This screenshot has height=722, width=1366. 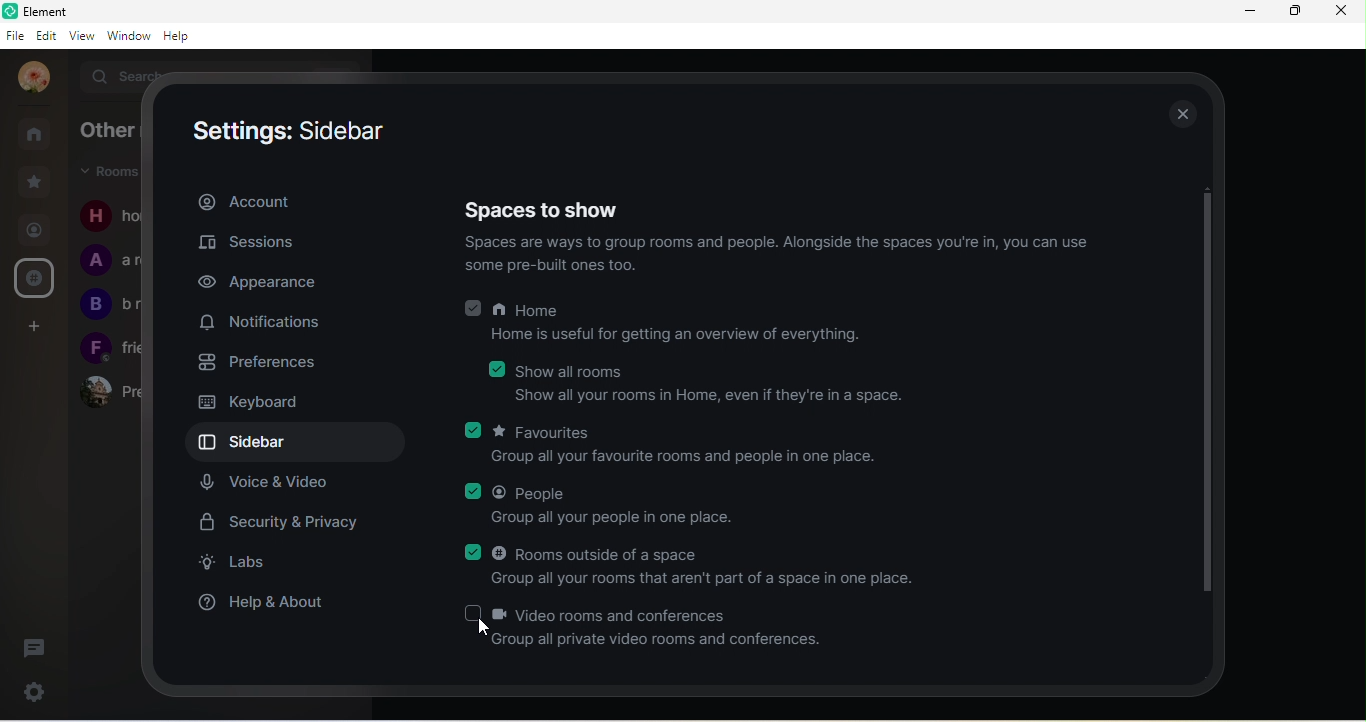 What do you see at coordinates (293, 131) in the screenshot?
I see `setting: sidebar` at bounding box center [293, 131].